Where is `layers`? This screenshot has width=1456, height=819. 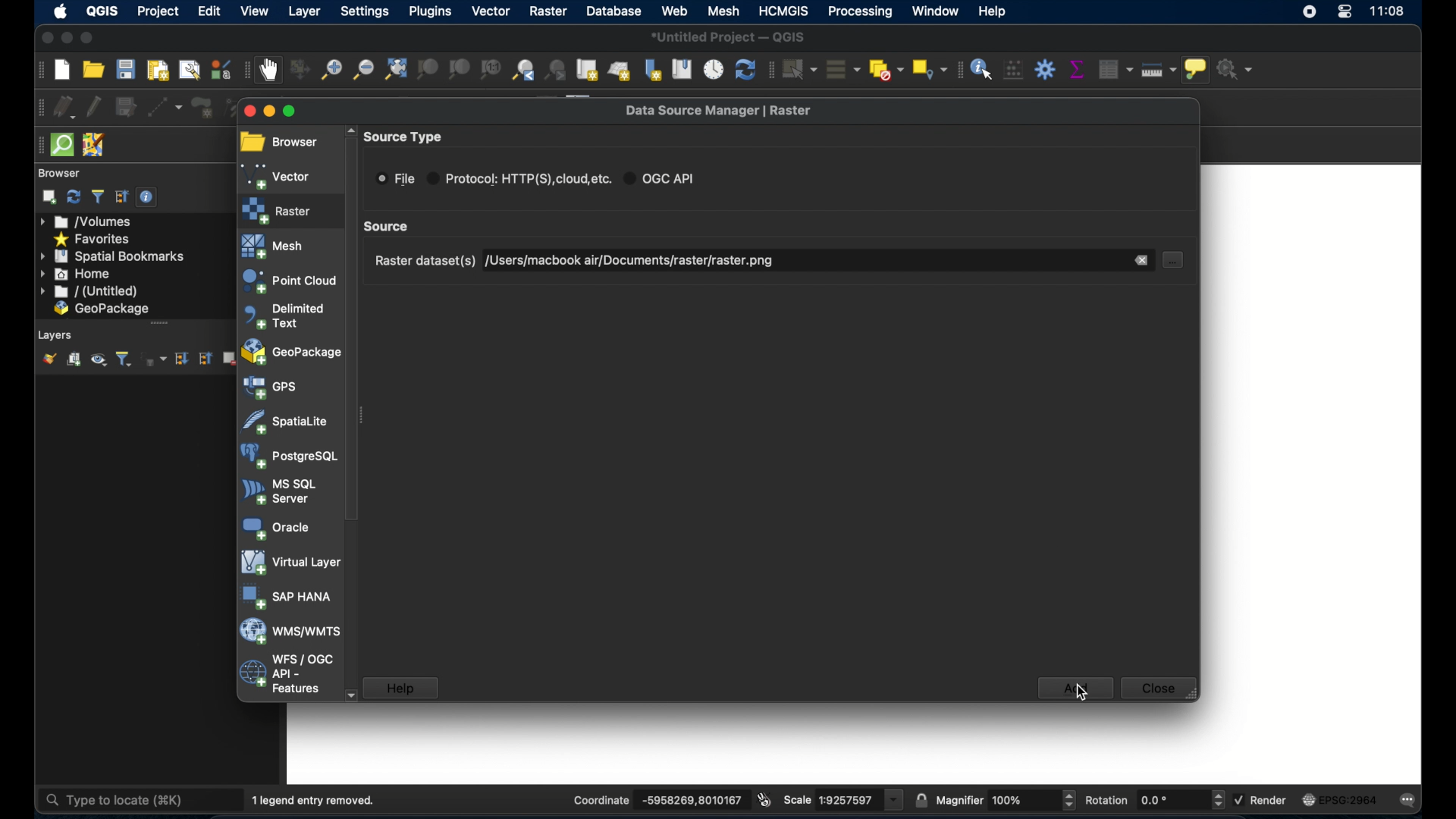 layers is located at coordinates (56, 334).